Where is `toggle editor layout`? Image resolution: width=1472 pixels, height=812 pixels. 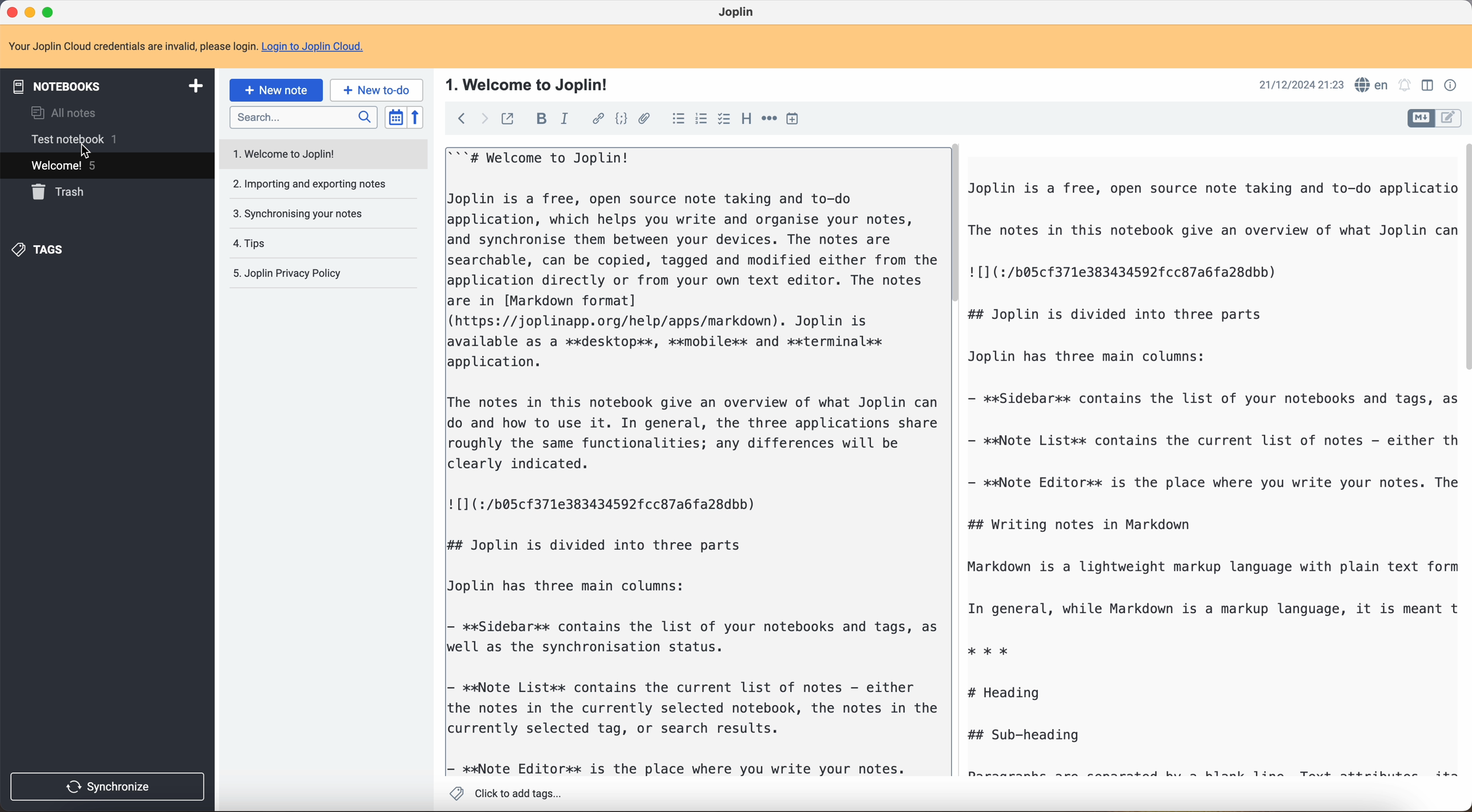
toggle editor layout is located at coordinates (1421, 119).